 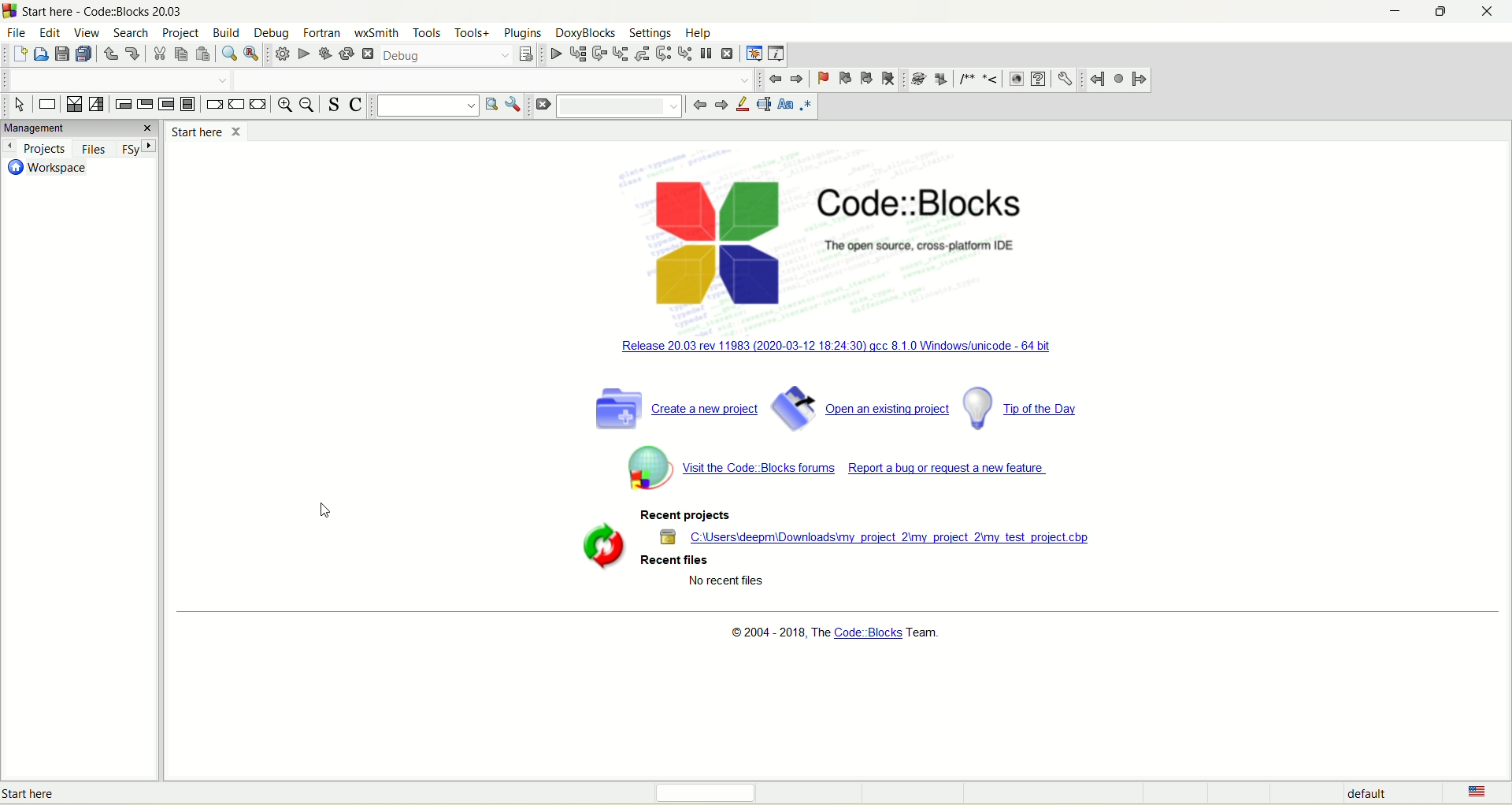 I want to click on close, so click(x=1489, y=12).